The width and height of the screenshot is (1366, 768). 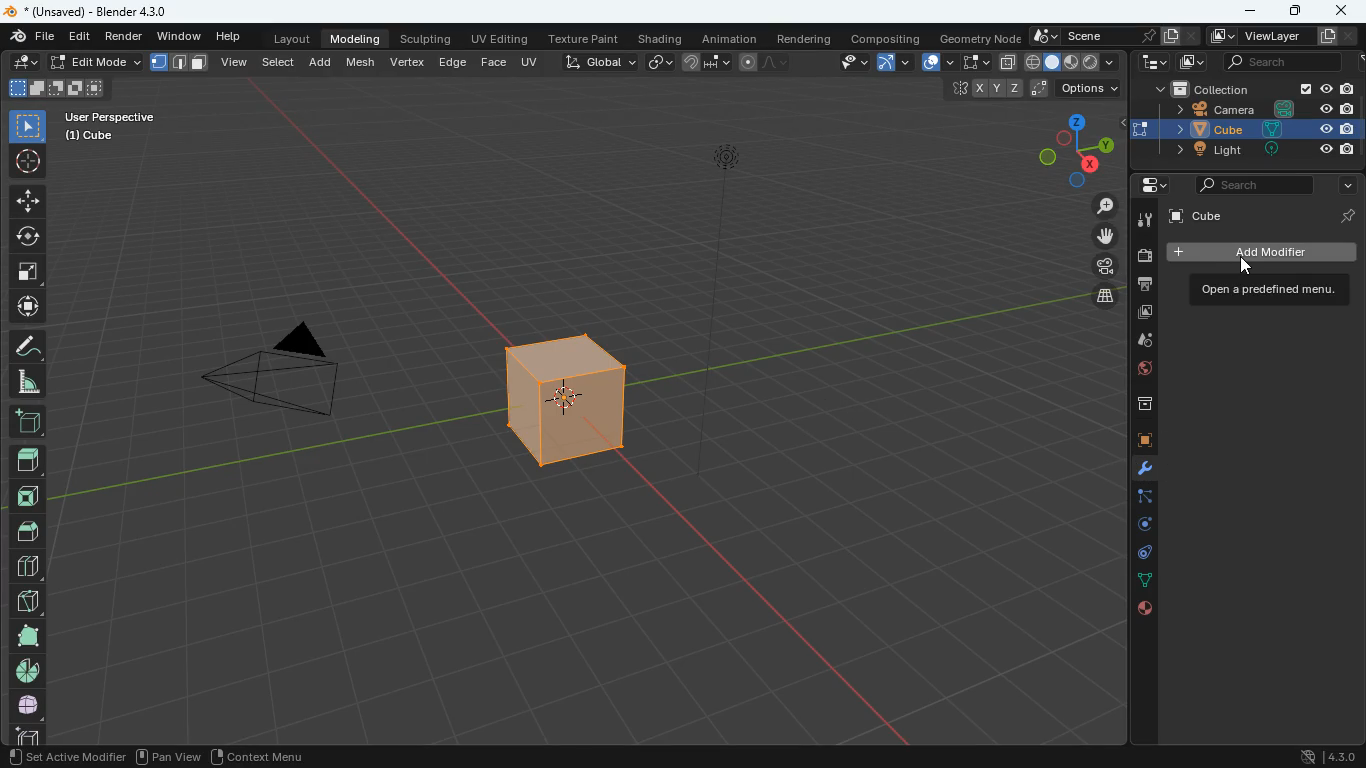 What do you see at coordinates (708, 65) in the screenshot?
I see `join` at bounding box center [708, 65].